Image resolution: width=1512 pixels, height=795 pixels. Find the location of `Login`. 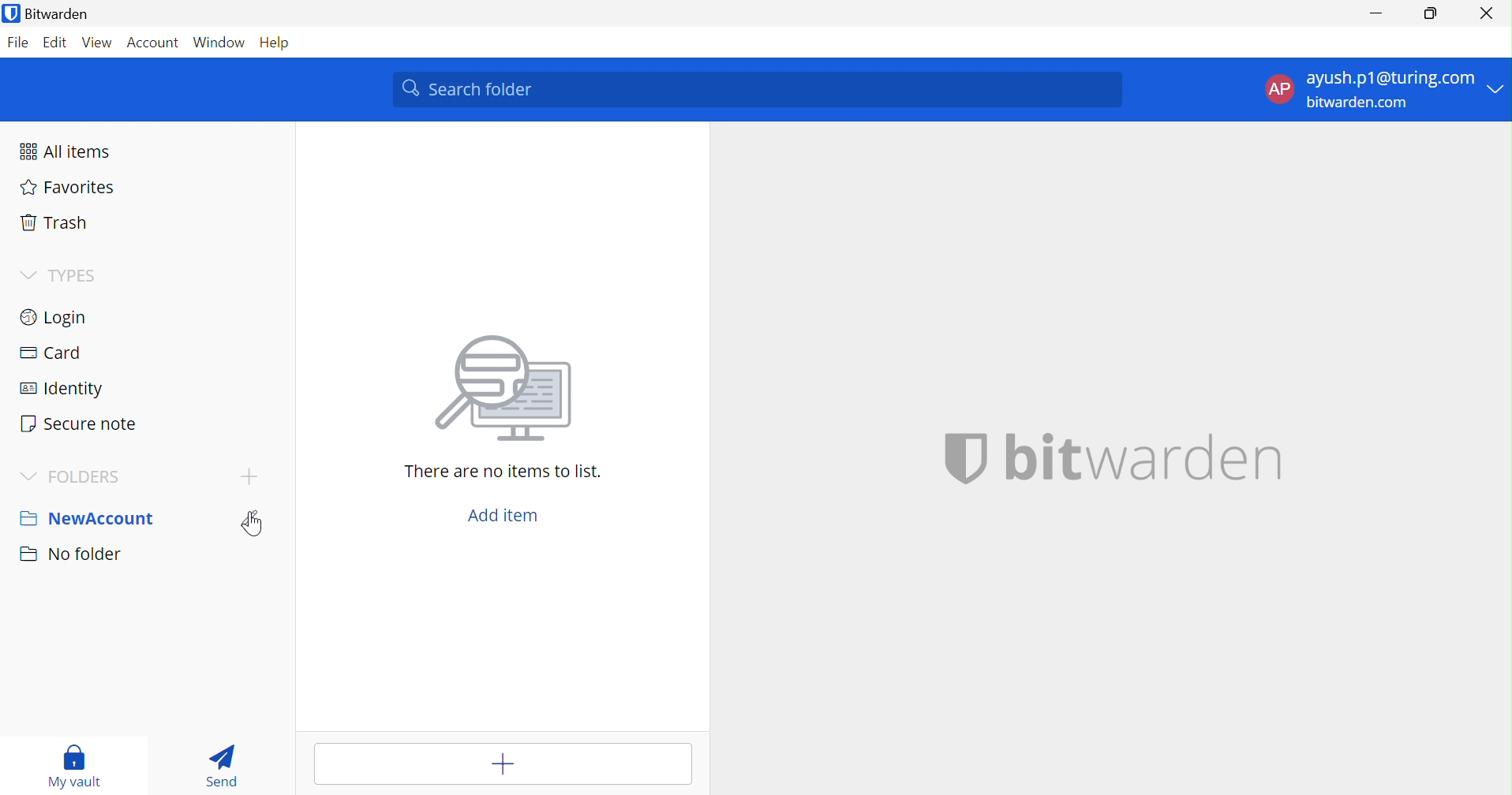

Login is located at coordinates (56, 315).